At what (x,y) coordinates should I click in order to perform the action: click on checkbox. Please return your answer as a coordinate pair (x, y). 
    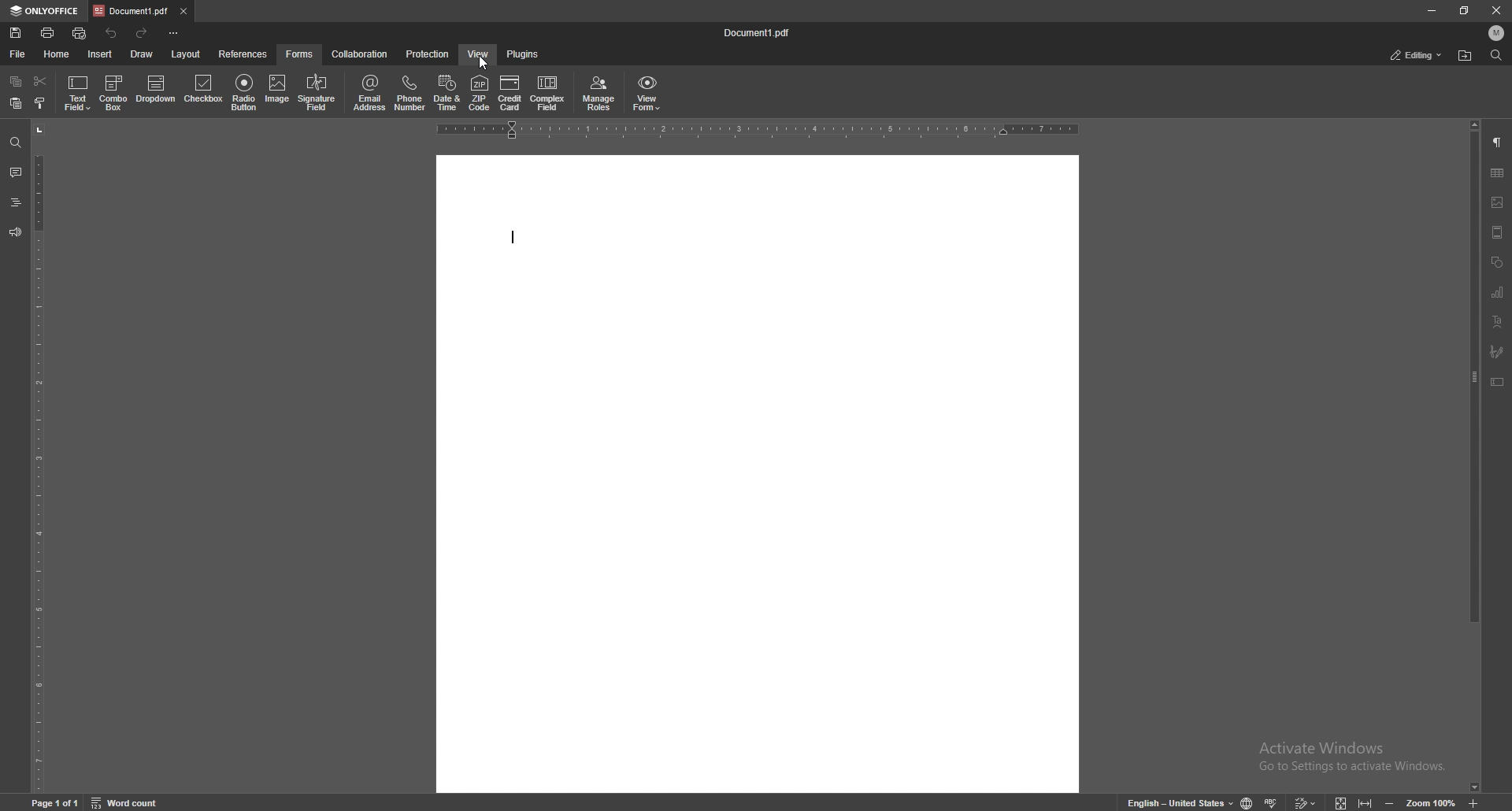
    Looking at the image, I should click on (204, 91).